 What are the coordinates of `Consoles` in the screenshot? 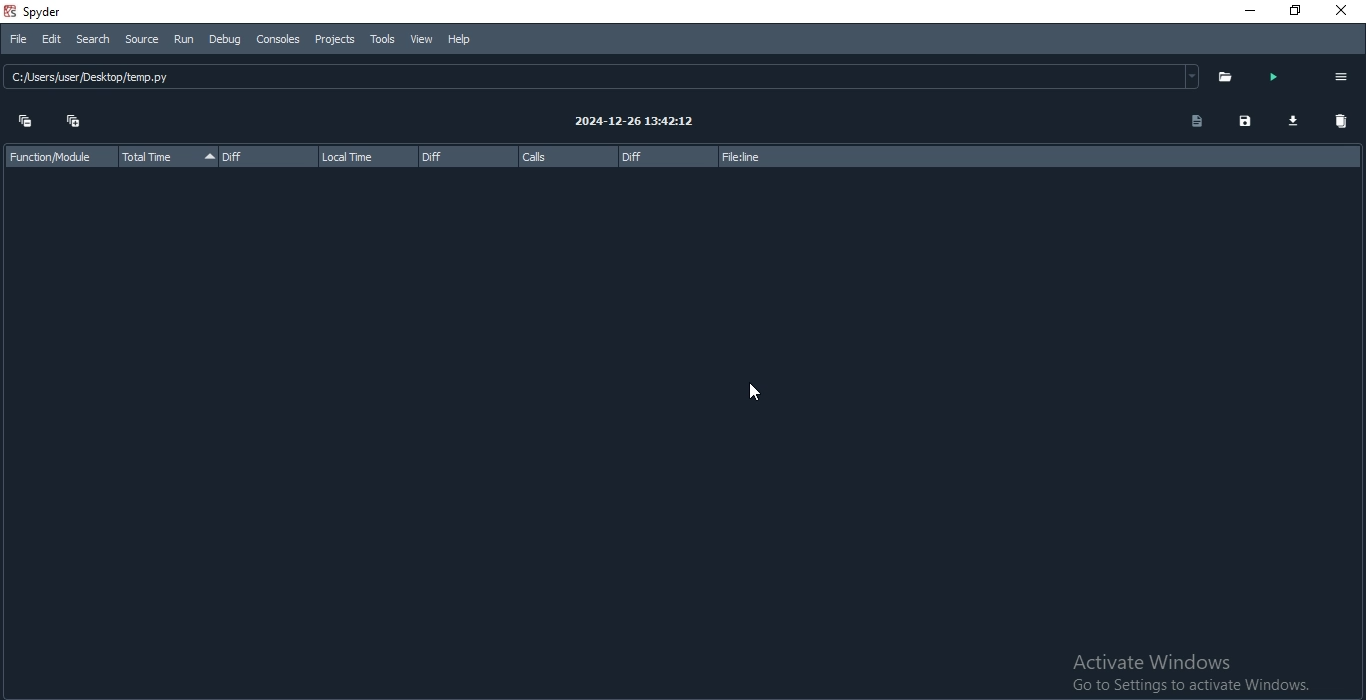 It's located at (280, 40).